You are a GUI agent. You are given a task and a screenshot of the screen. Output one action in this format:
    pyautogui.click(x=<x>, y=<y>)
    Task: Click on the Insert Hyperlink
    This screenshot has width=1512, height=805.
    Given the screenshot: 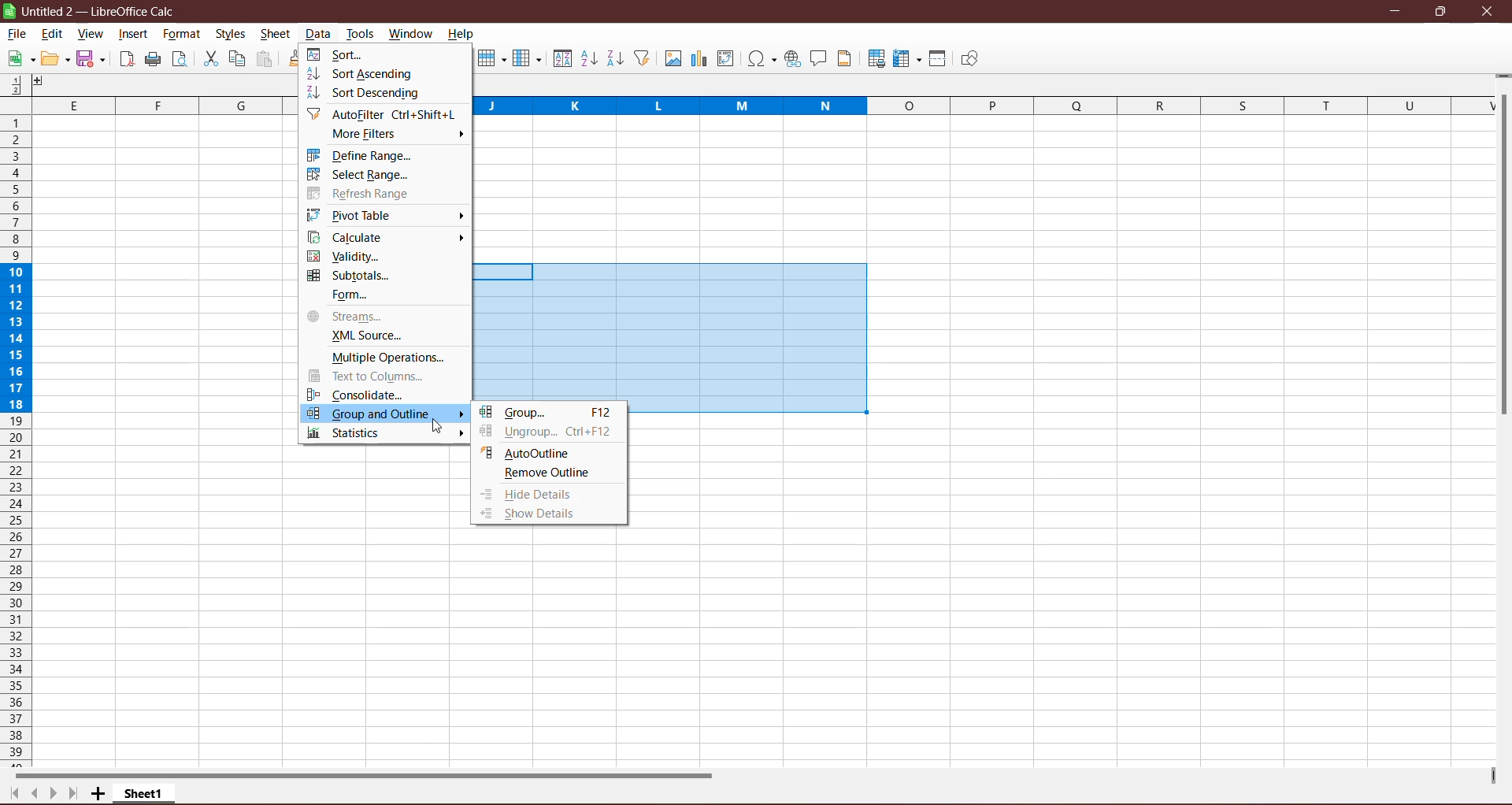 What is the action you would take?
    pyautogui.click(x=792, y=59)
    